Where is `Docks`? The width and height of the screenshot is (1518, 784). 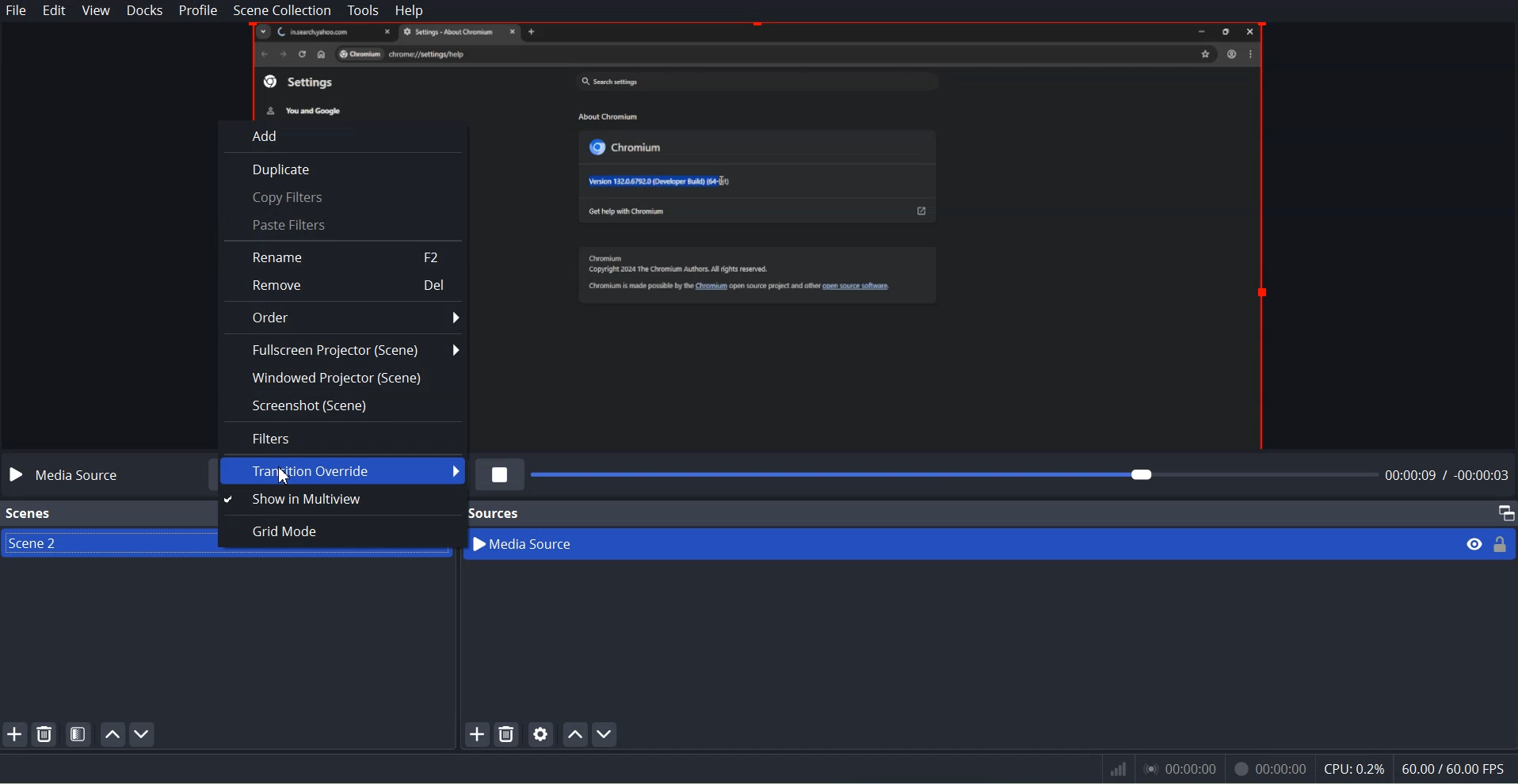
Docks is located at coordinates (144, 11).